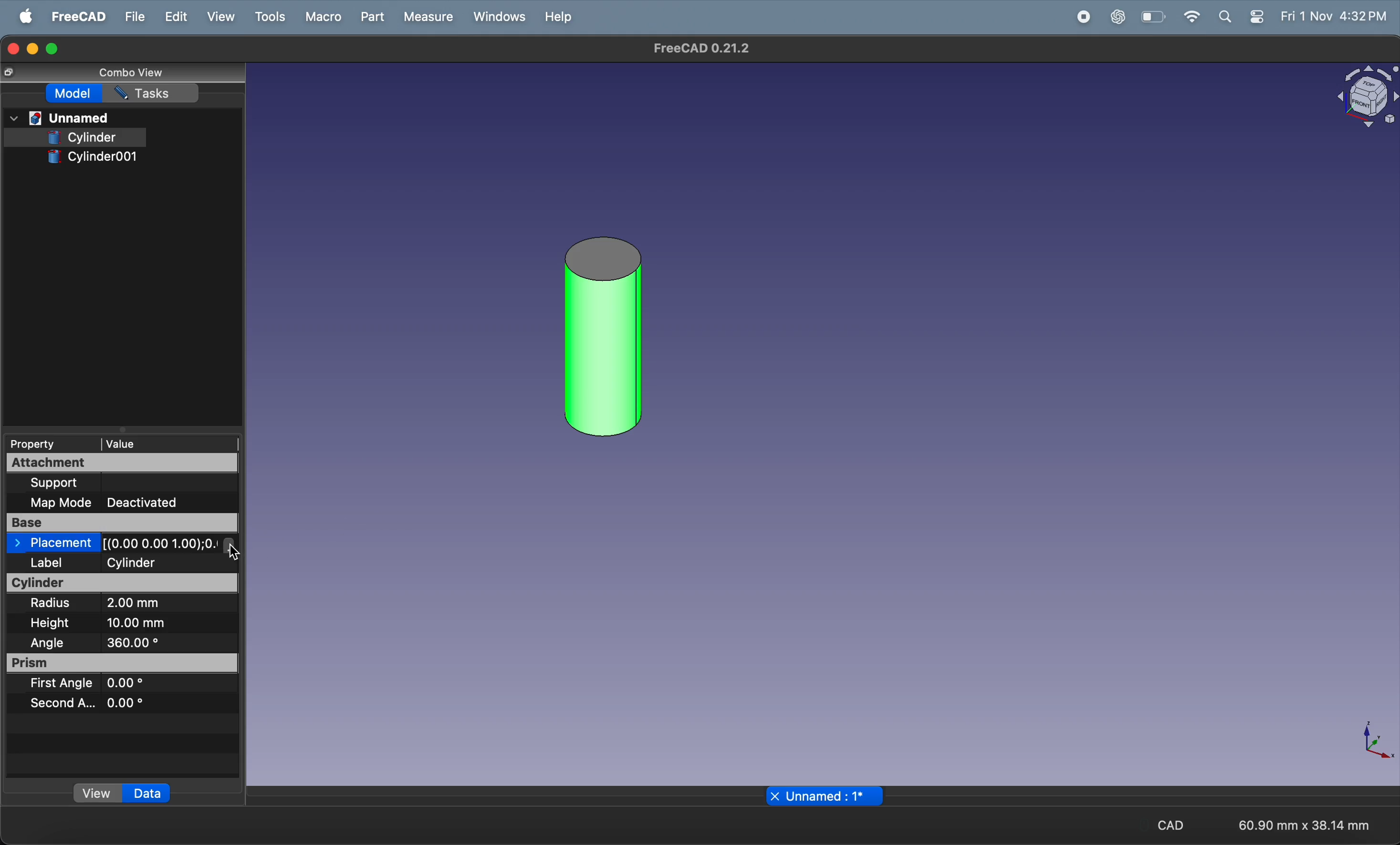 Image resolution: width=1400 pixels, height=845 pixels. Describe the element at coordinates (8, 73) in the screenshot. I see `copy` at that location.